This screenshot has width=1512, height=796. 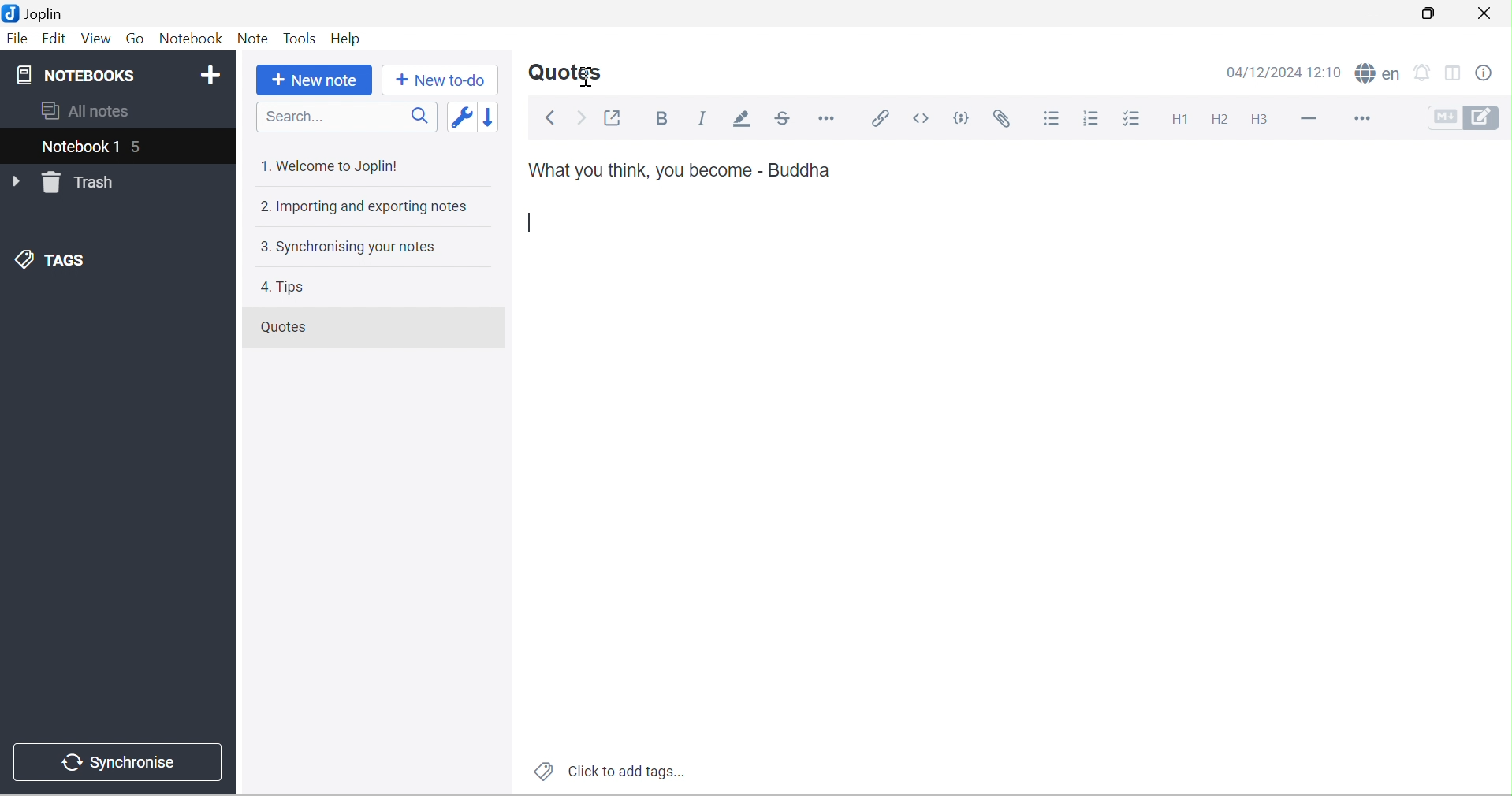 I want to click on Add notebook, so click(x=213, y=76).